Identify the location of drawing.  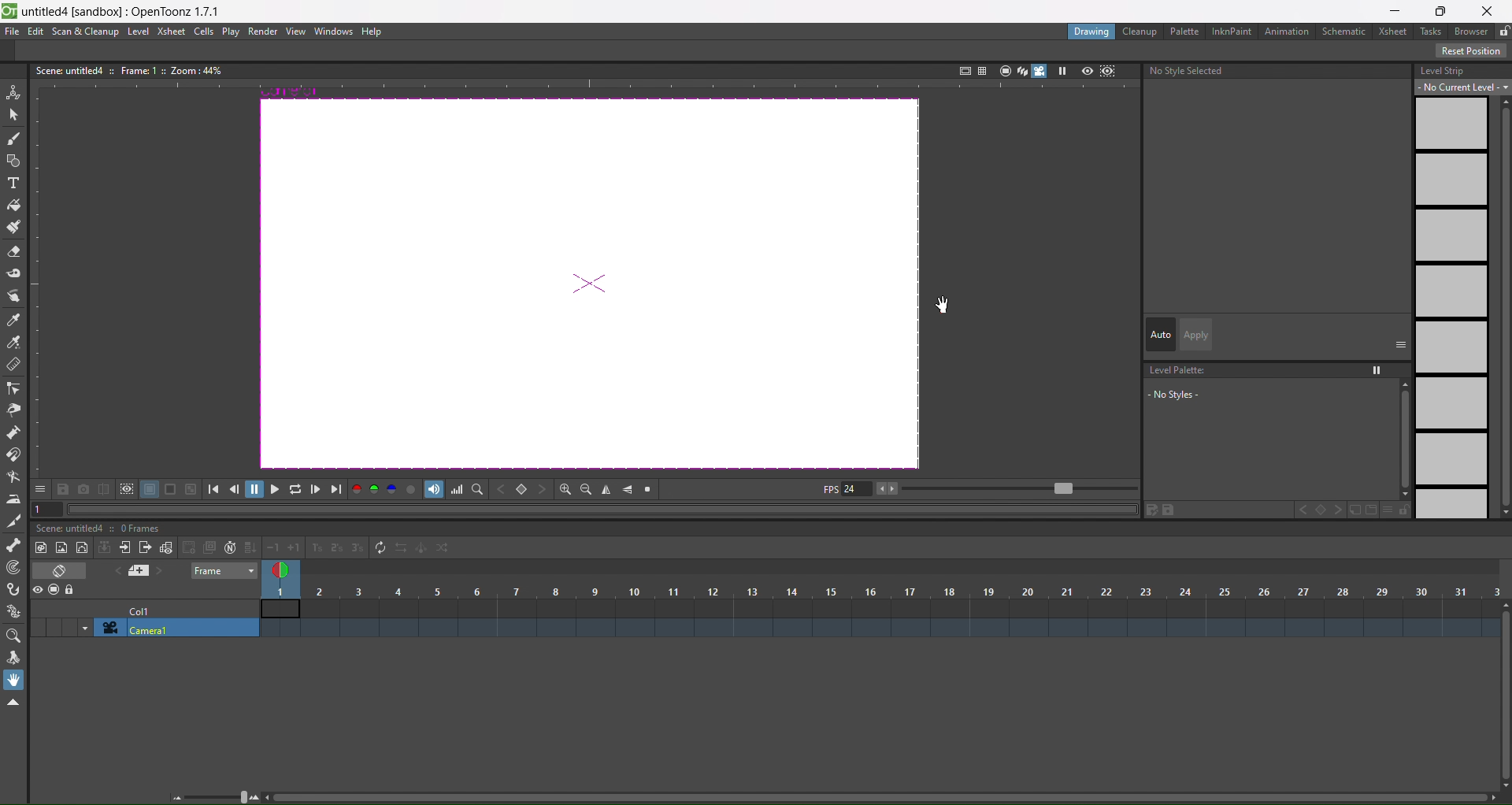
(1091, 32).